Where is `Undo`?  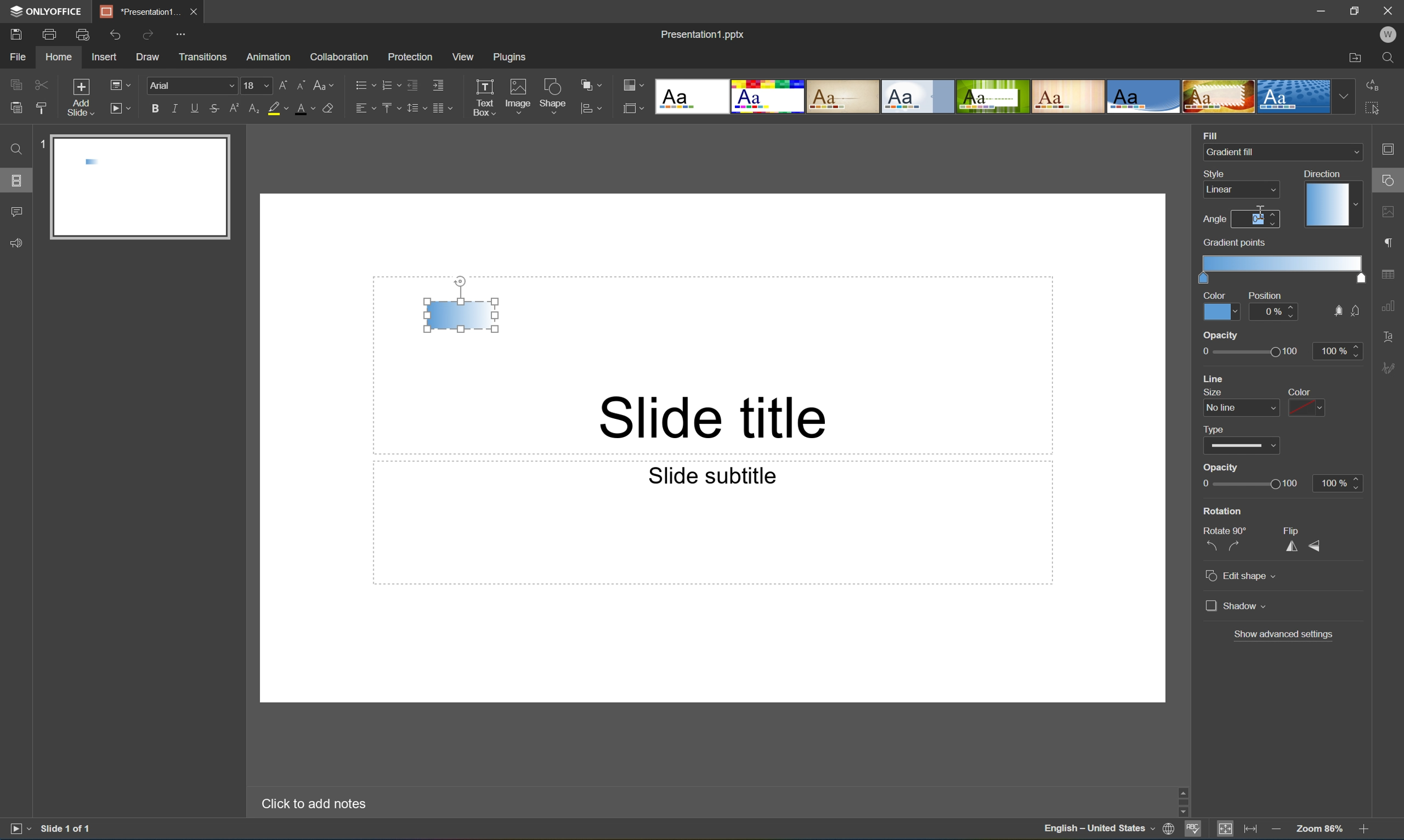 Undo is located at coordinates (113, 35).